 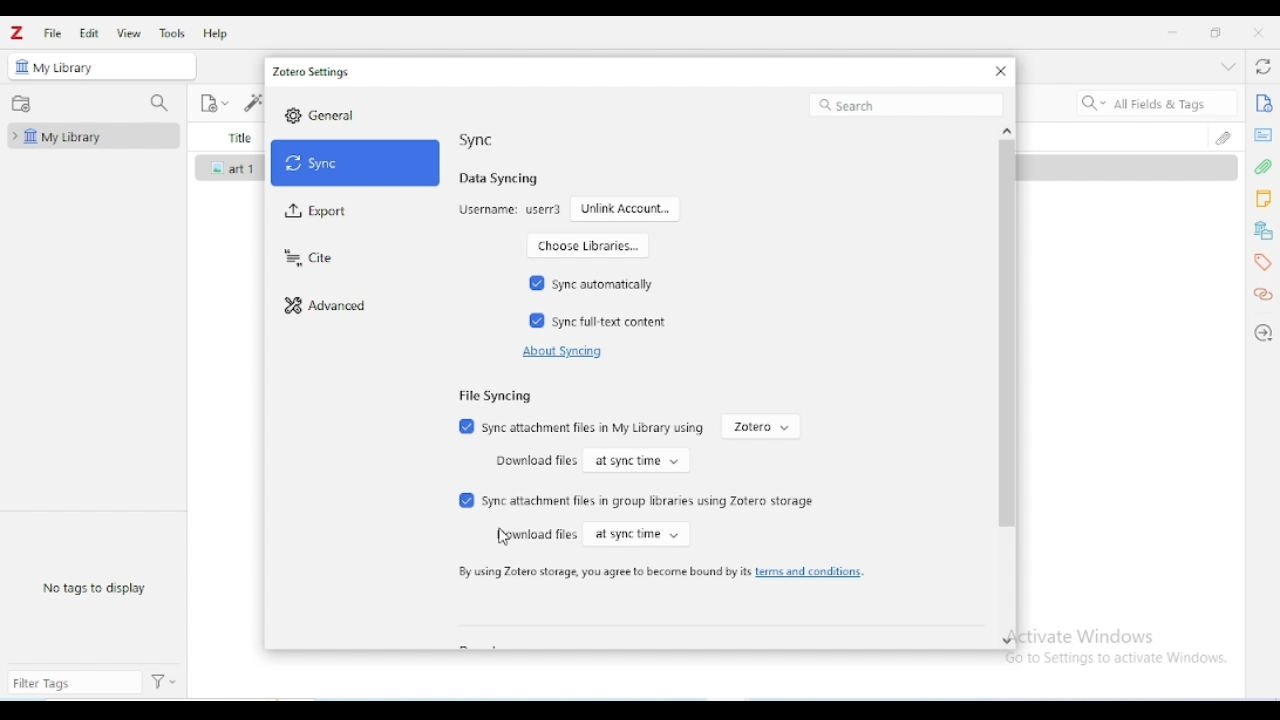 What do you see at coordinates (594, 428) in the screenshot?
I see `sync attachment files in My library using` at bounding box center [594, 428].